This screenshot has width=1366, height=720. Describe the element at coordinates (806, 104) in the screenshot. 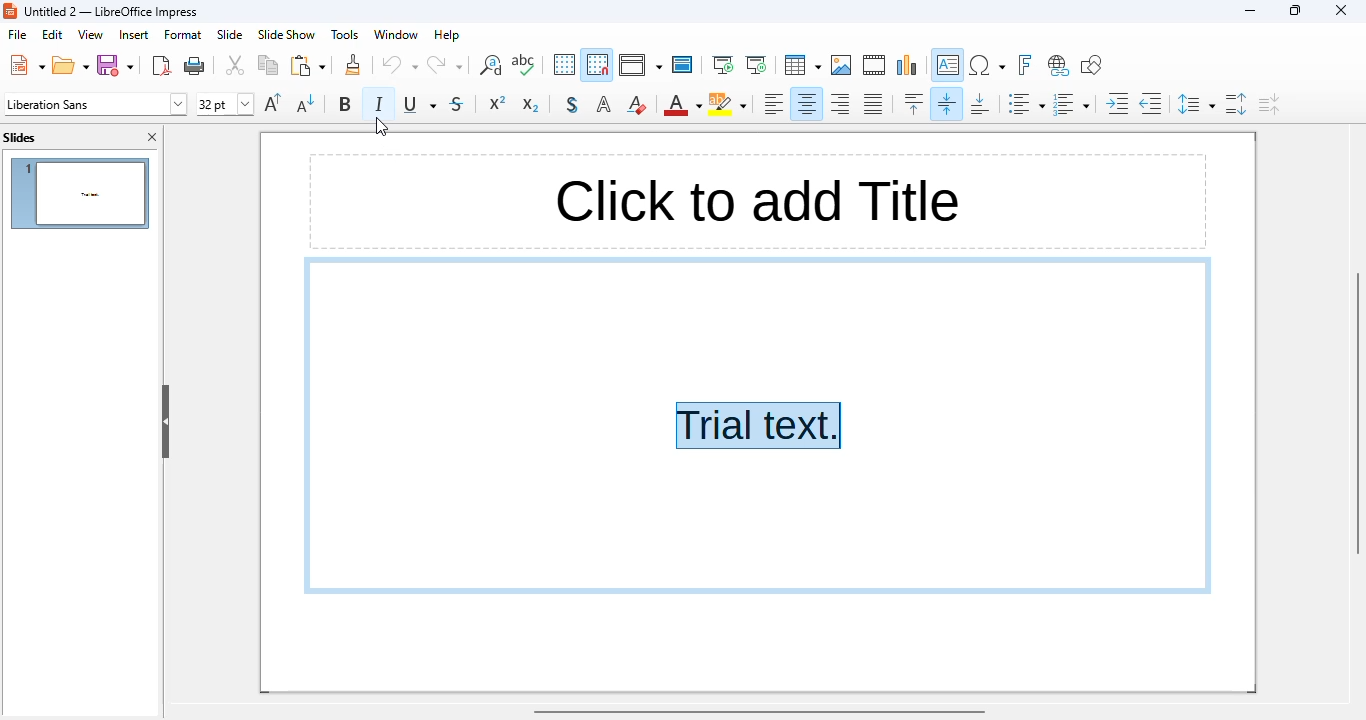

I see `align center` at that location.